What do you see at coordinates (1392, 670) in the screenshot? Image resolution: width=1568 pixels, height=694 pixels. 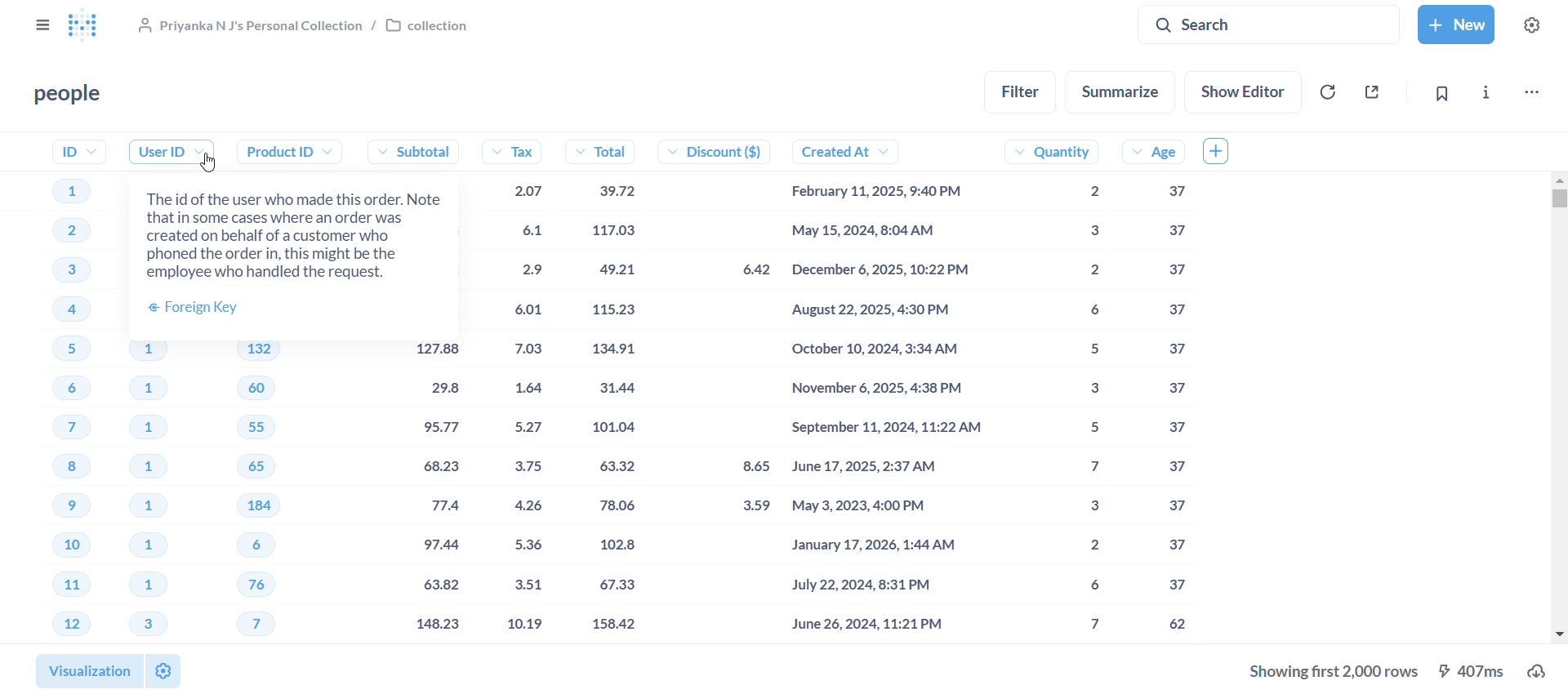 I see `download` at bounding box center [1392, 670].